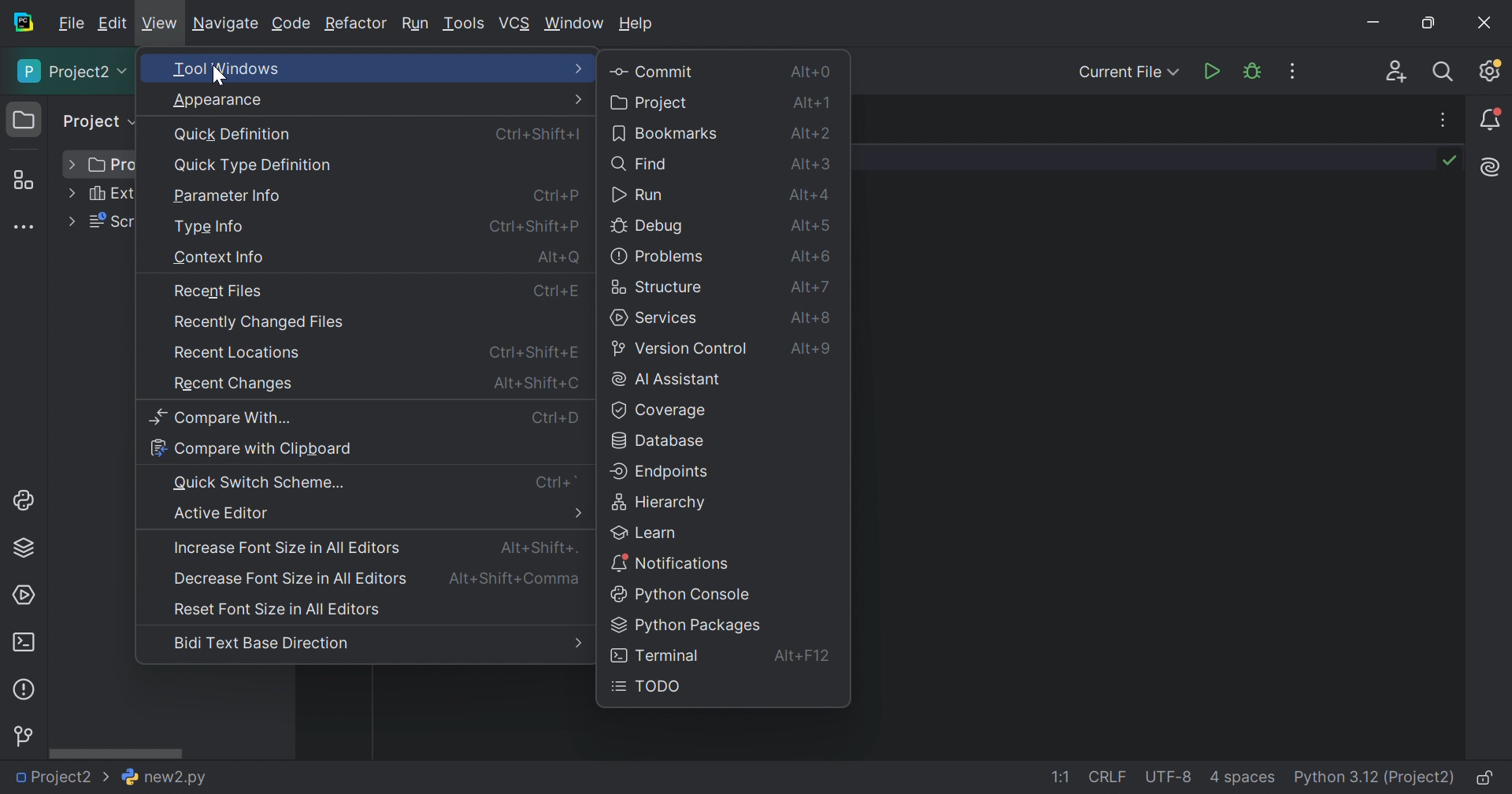  Describe the element at coordinates (809, 347) in the screenshot. I see `Alt+9` at that location.